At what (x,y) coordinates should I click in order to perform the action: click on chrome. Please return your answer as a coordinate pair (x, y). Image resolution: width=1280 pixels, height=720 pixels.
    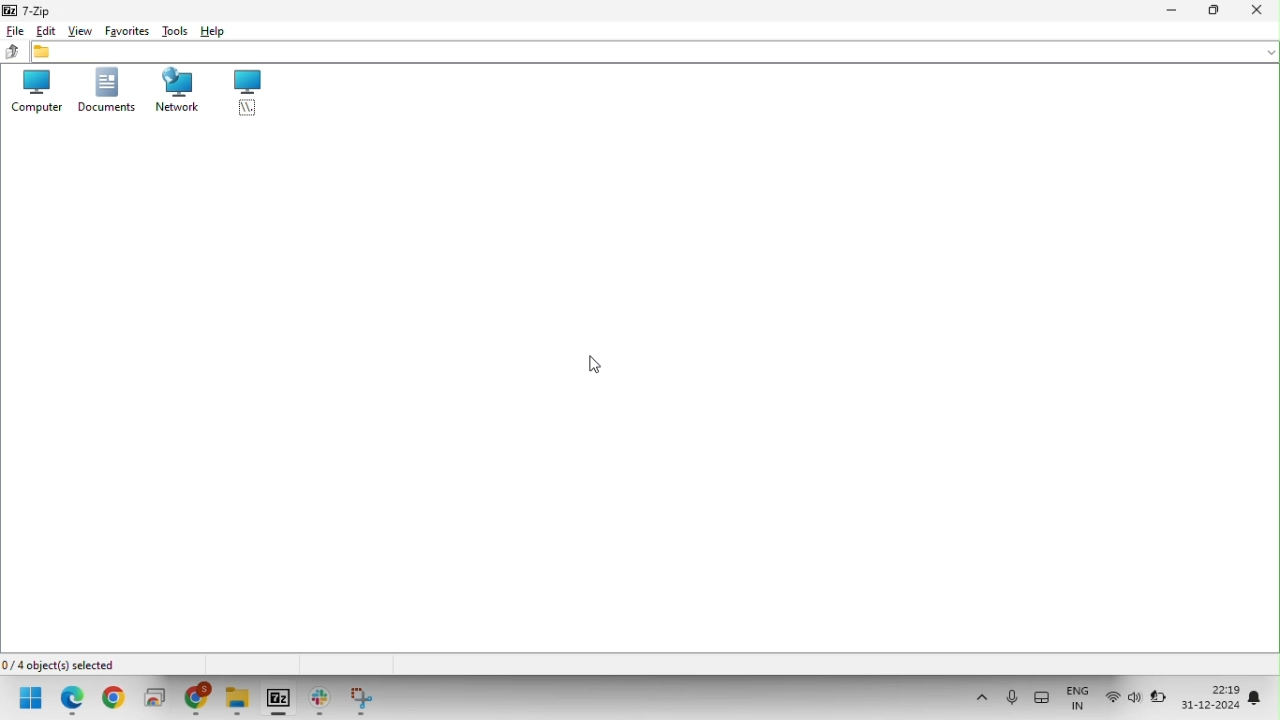
    Looking at the image, I should click on (112, 701).